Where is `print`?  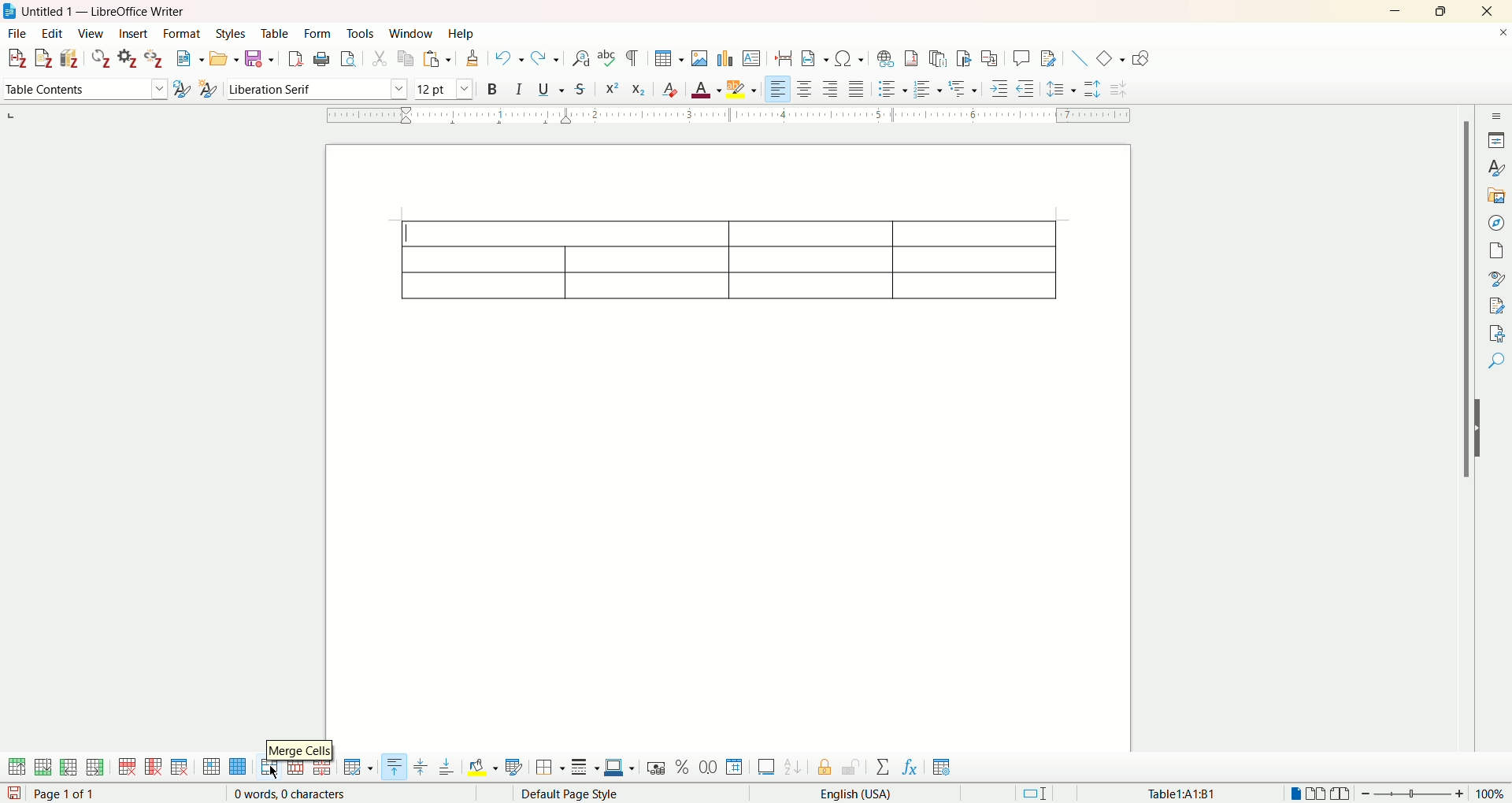 print is located at coordinates (323, 59).